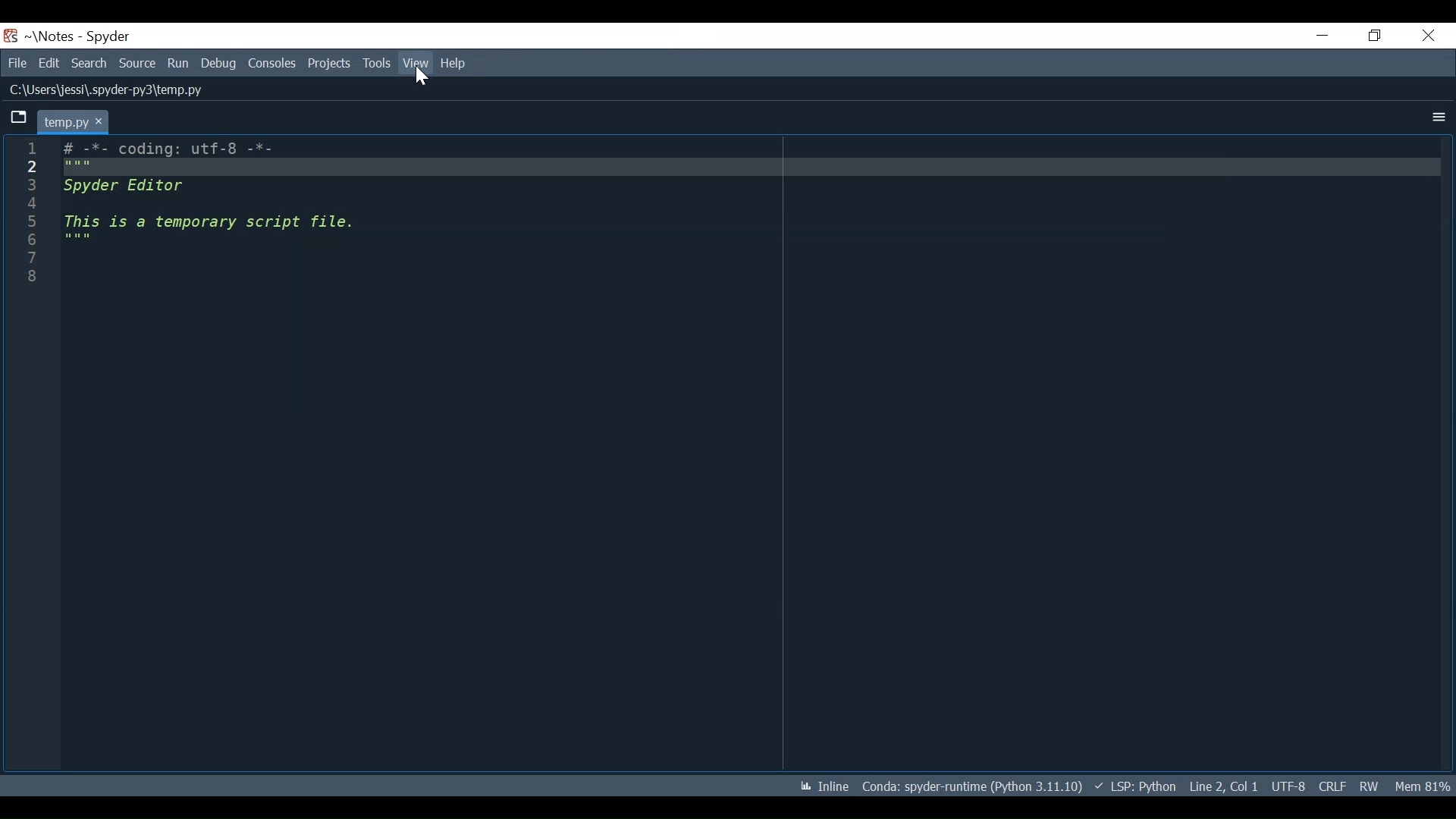 The height and width of the screenshot is (819, 1456). I want to click on View, so click(376, 63).